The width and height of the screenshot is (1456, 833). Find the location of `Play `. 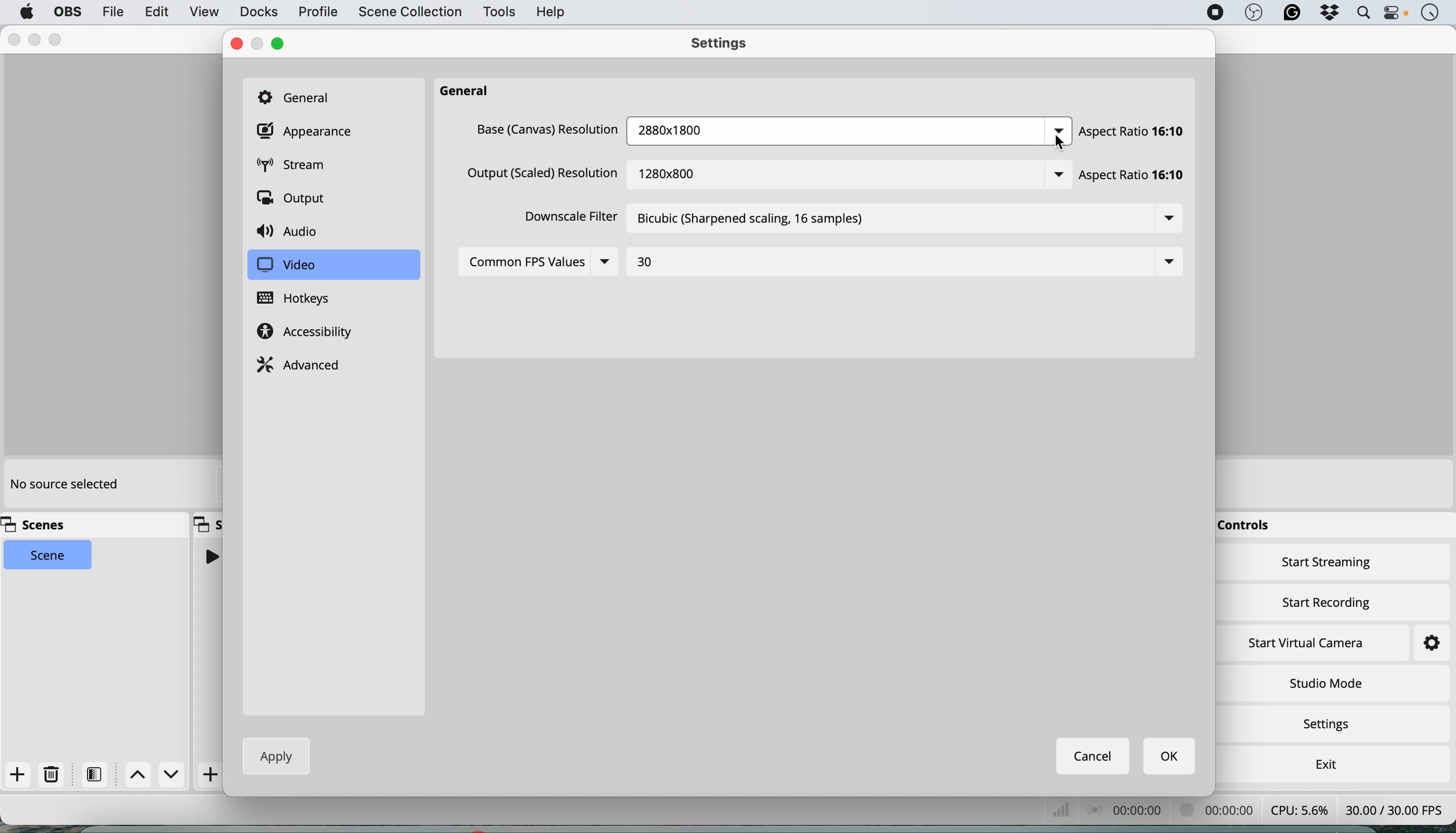

Play  is located at coordinates (210, 556).